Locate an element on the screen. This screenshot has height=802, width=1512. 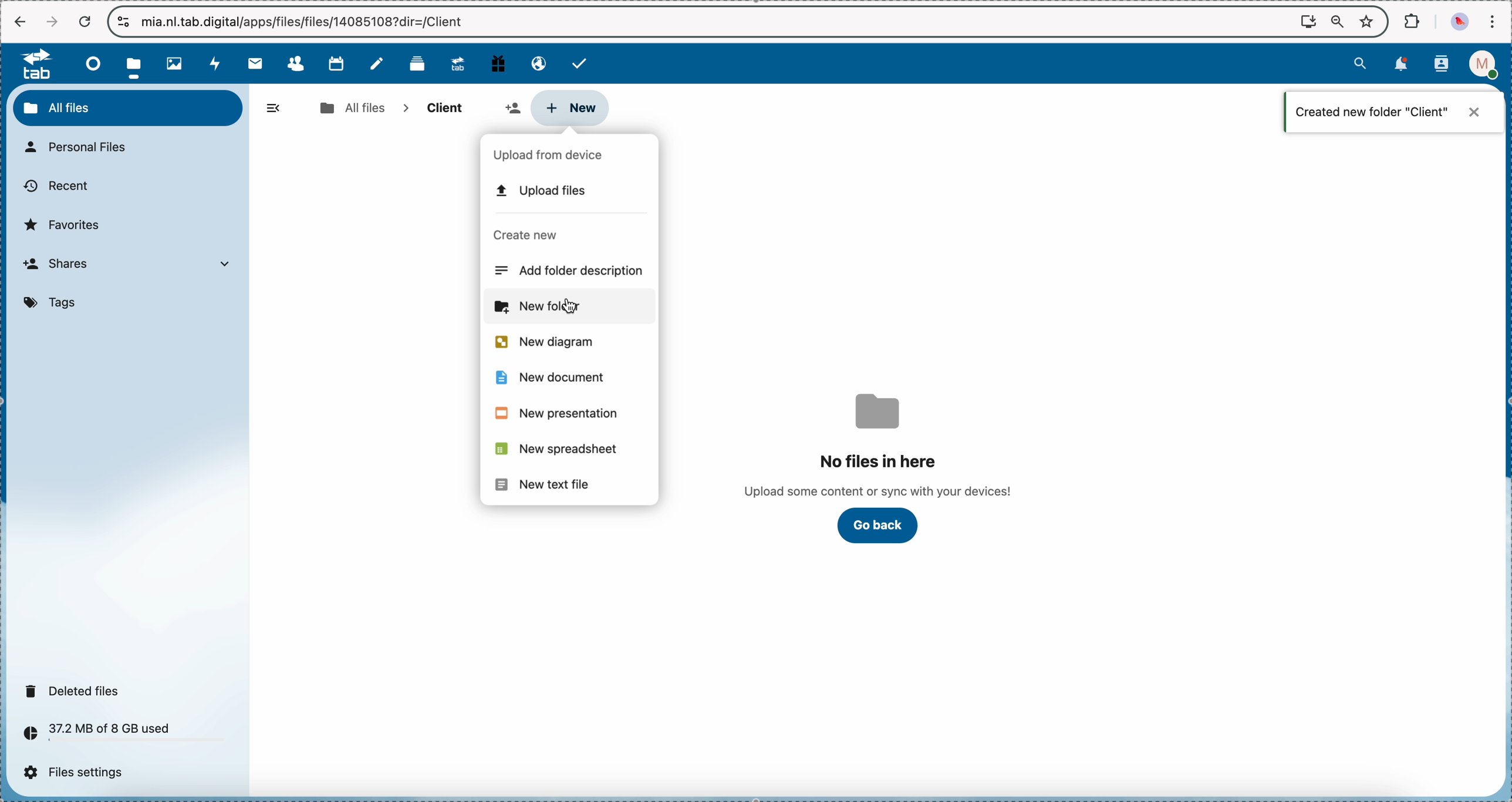
click on new button is located at coordinates (569, 108).